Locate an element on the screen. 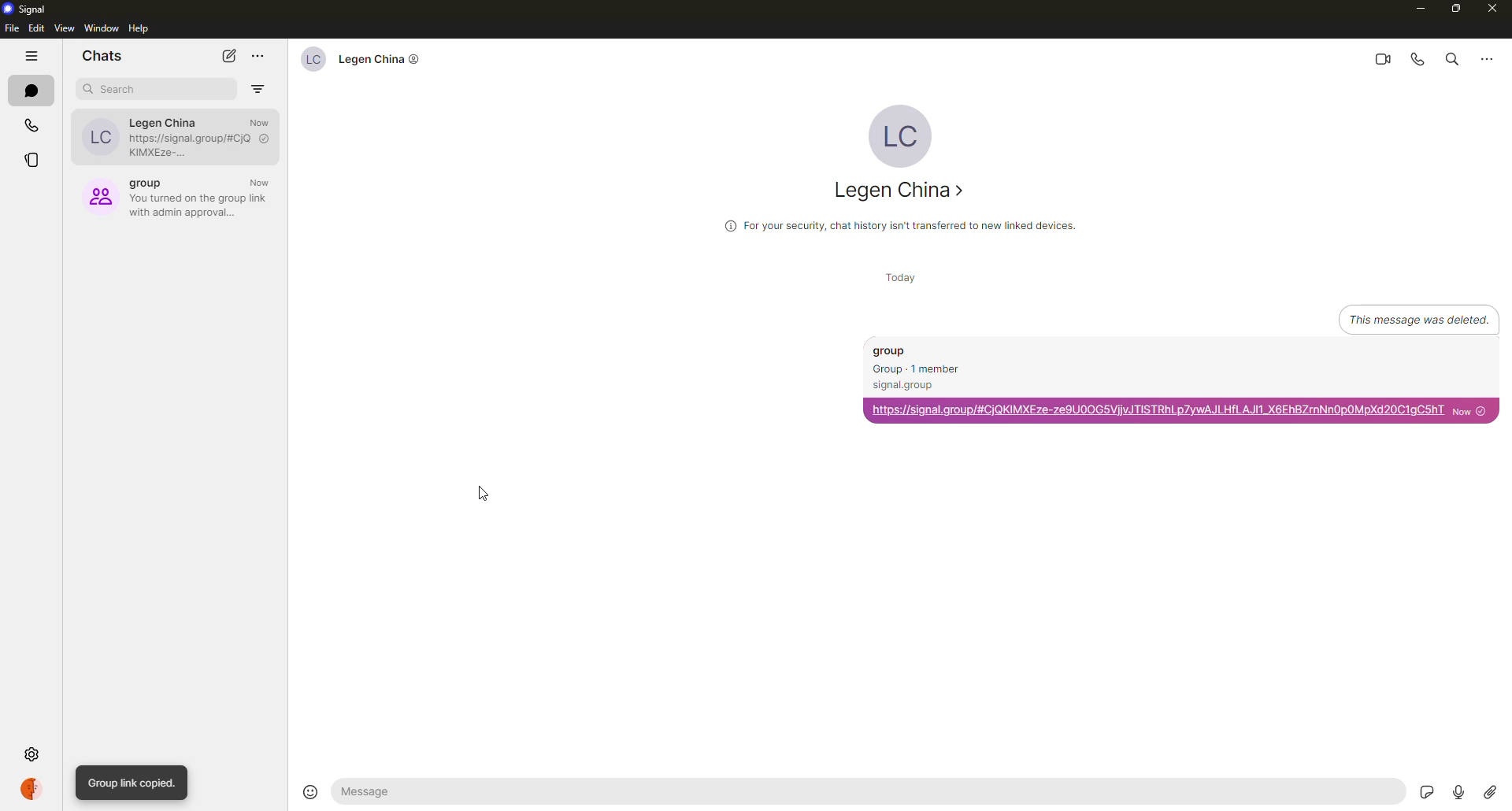  hide tabs is located at coordinates (33, 57).